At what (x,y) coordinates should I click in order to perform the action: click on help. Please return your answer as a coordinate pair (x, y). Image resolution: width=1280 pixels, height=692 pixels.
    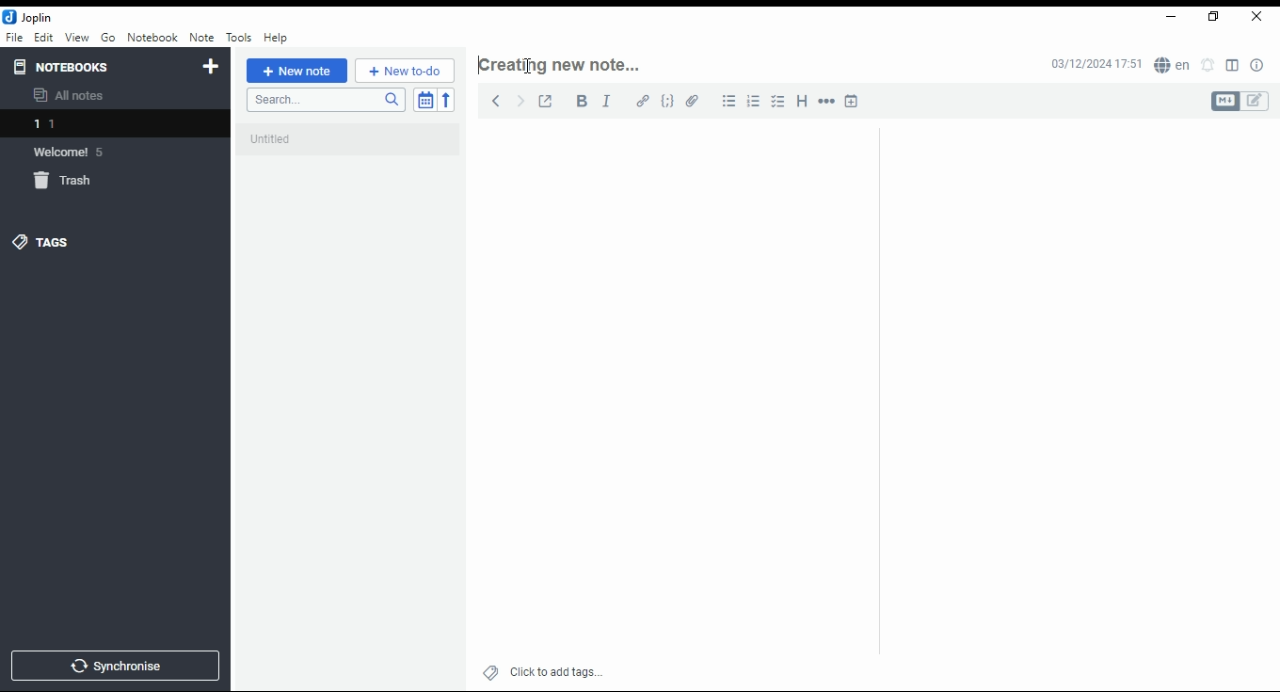
    Looking at the image, I should click on (276, 38).